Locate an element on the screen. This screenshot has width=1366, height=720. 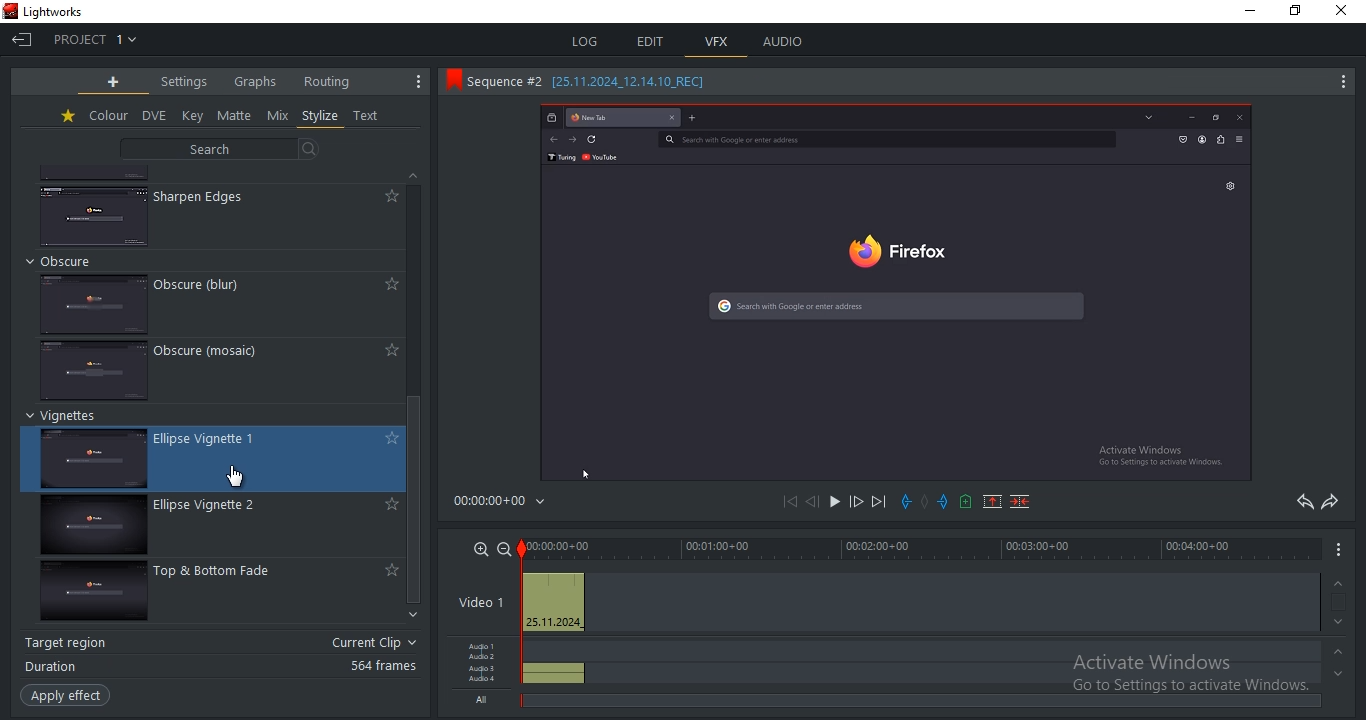
delete the marked section is located at coordinates (1019, 503).